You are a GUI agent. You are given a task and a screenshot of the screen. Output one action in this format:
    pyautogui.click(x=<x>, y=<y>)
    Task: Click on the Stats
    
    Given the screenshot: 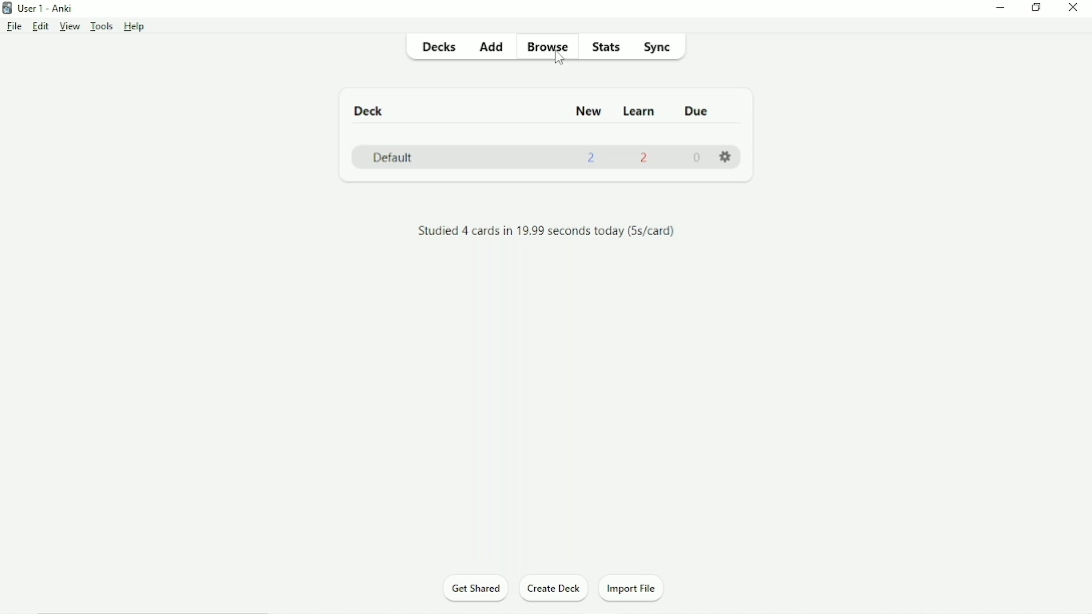 What is the action you would take?
    pyautogui.click(x=607, y=47)
    